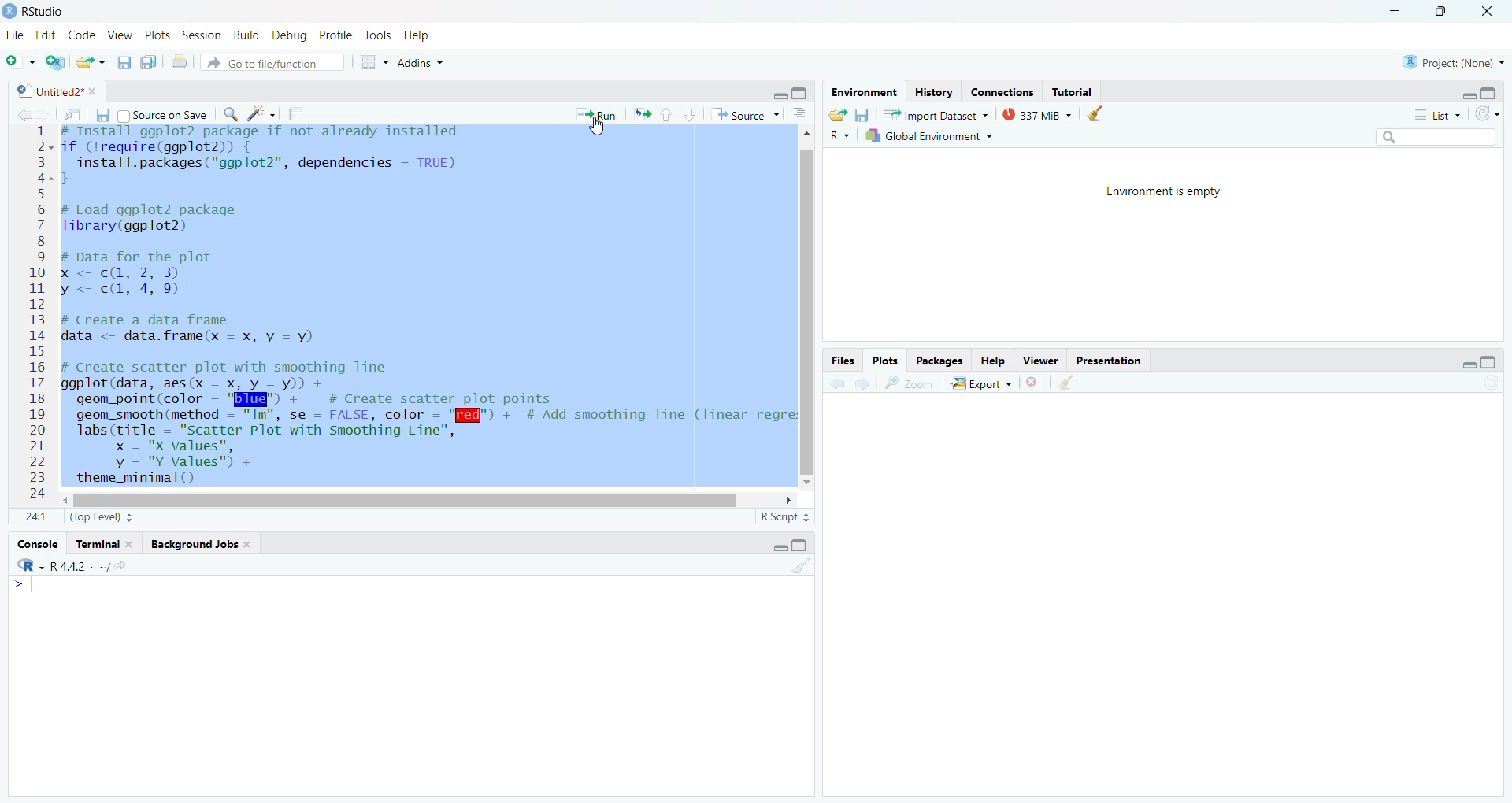 Image resolution: width=1512 pixels, height=803 pixels. I want to click on  Run, so click(592, 115).